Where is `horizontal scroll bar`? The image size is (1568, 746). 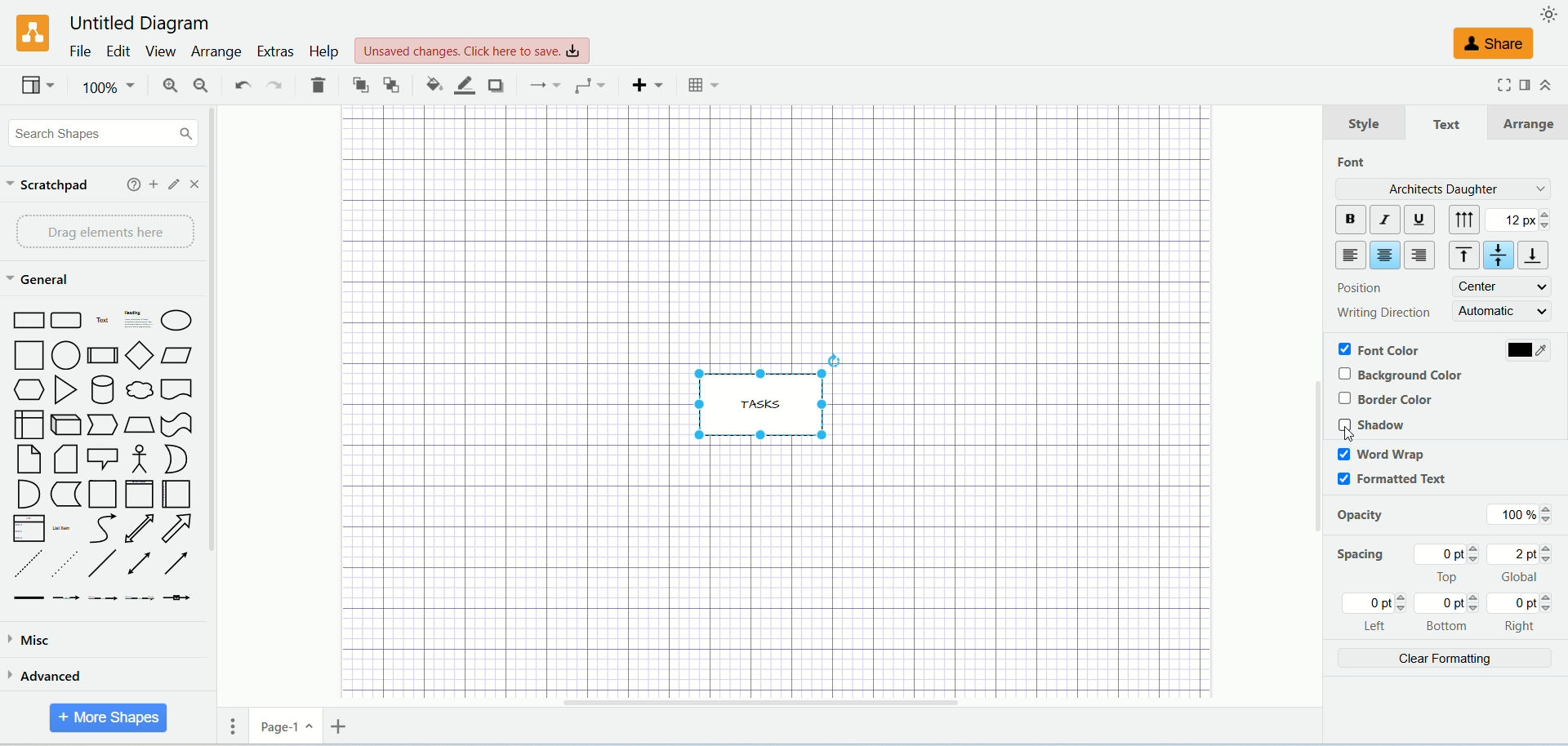
horizontal scroll bar is located at coordinates (811, 703).